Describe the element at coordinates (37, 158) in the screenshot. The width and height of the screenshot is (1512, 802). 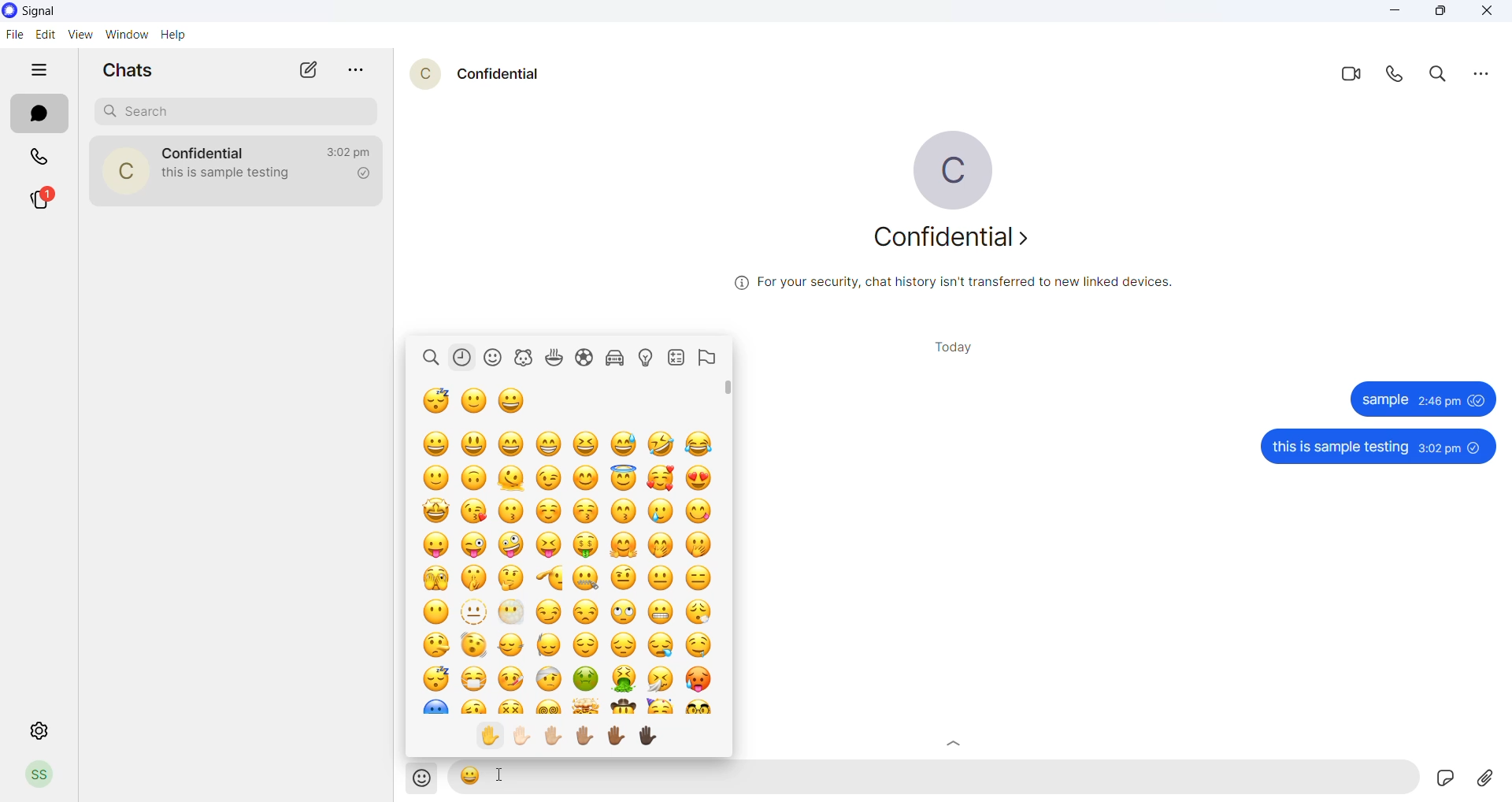
I see `calls` at that location.